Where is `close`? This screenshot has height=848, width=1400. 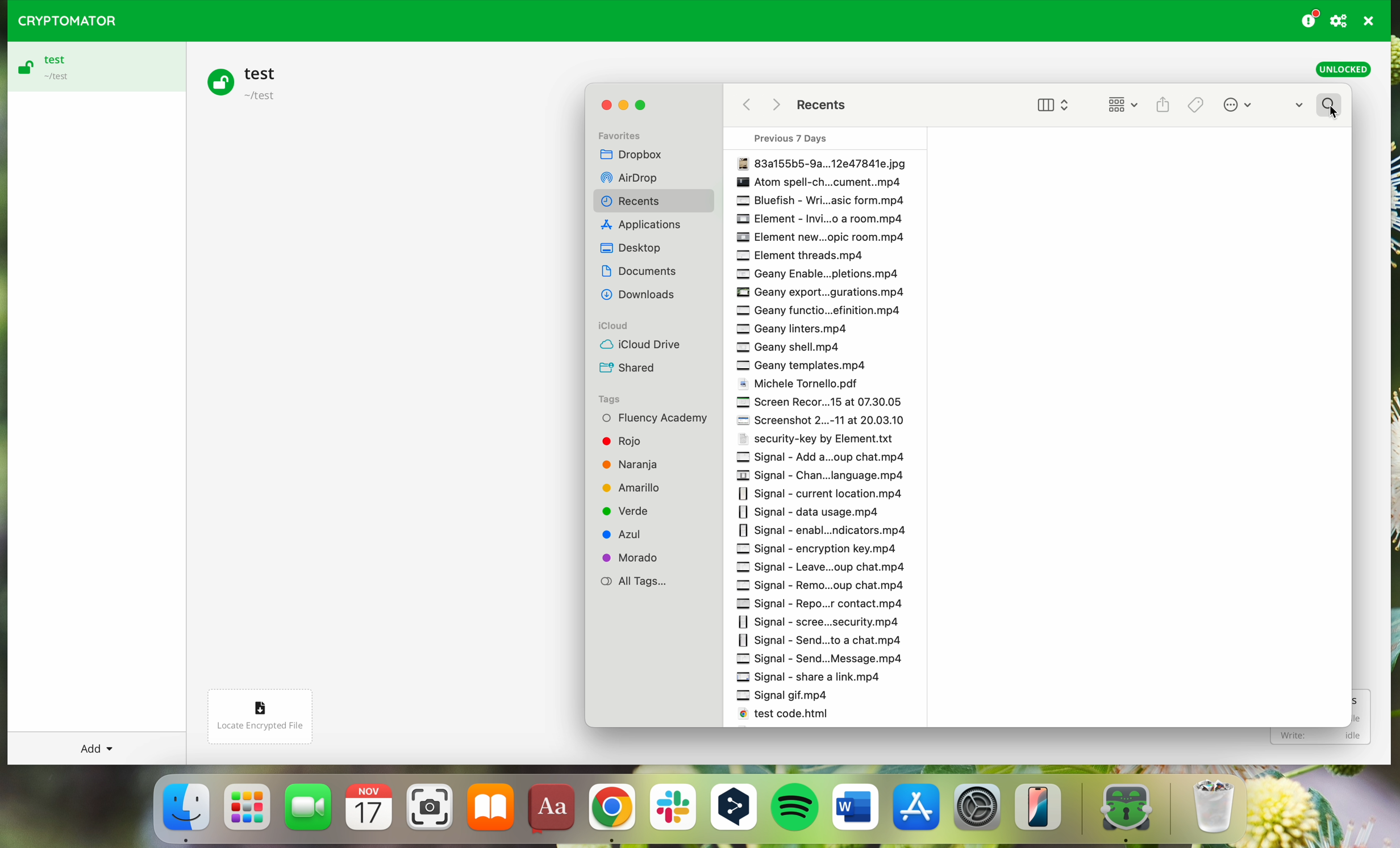 close is located at coordinates (602, 107).